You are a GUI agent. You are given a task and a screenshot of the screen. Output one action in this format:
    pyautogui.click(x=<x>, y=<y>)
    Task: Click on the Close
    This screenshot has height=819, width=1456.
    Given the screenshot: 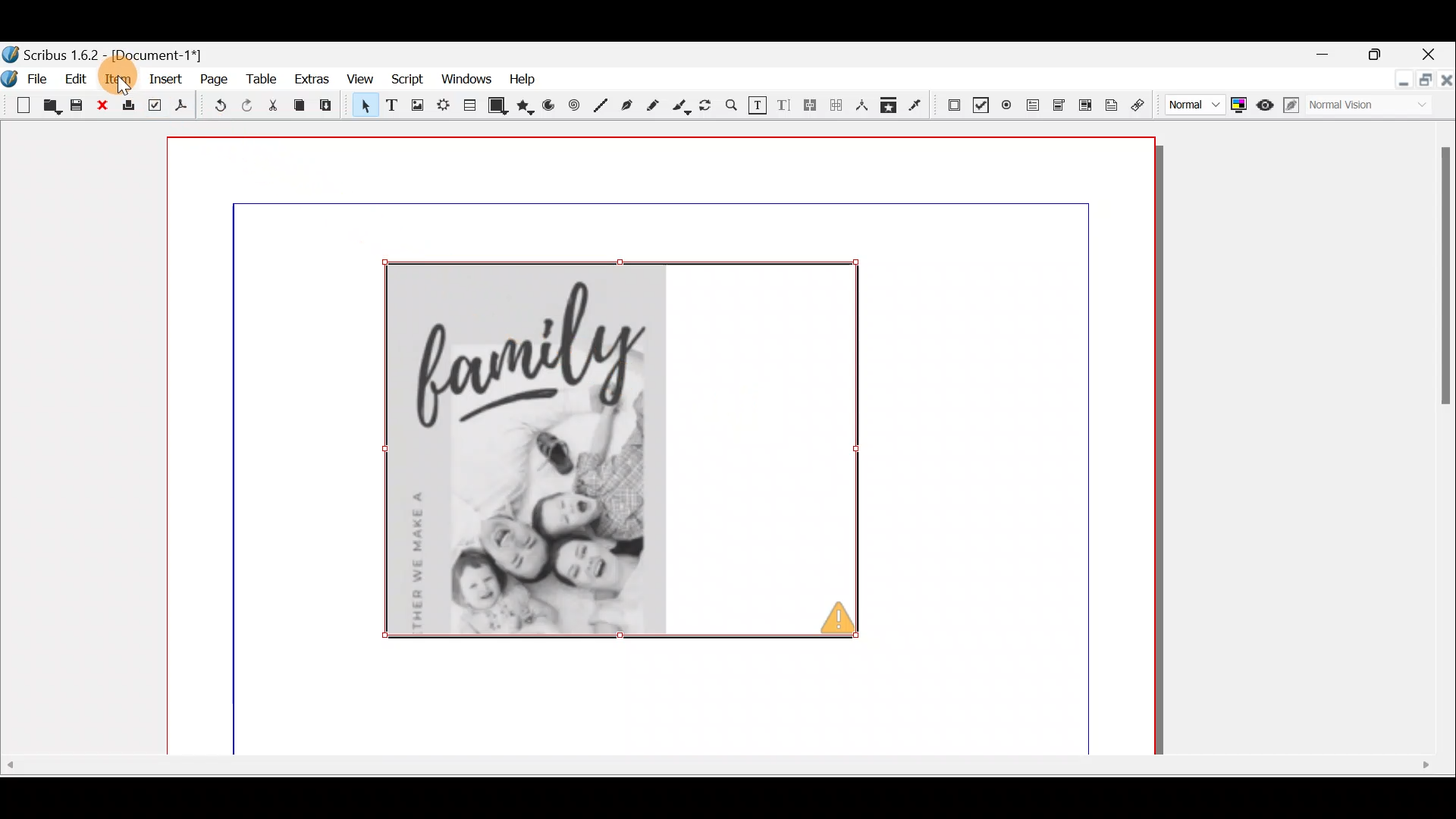 What is the action you would take?
    pyautogui.click(x=1445, y=88)
    